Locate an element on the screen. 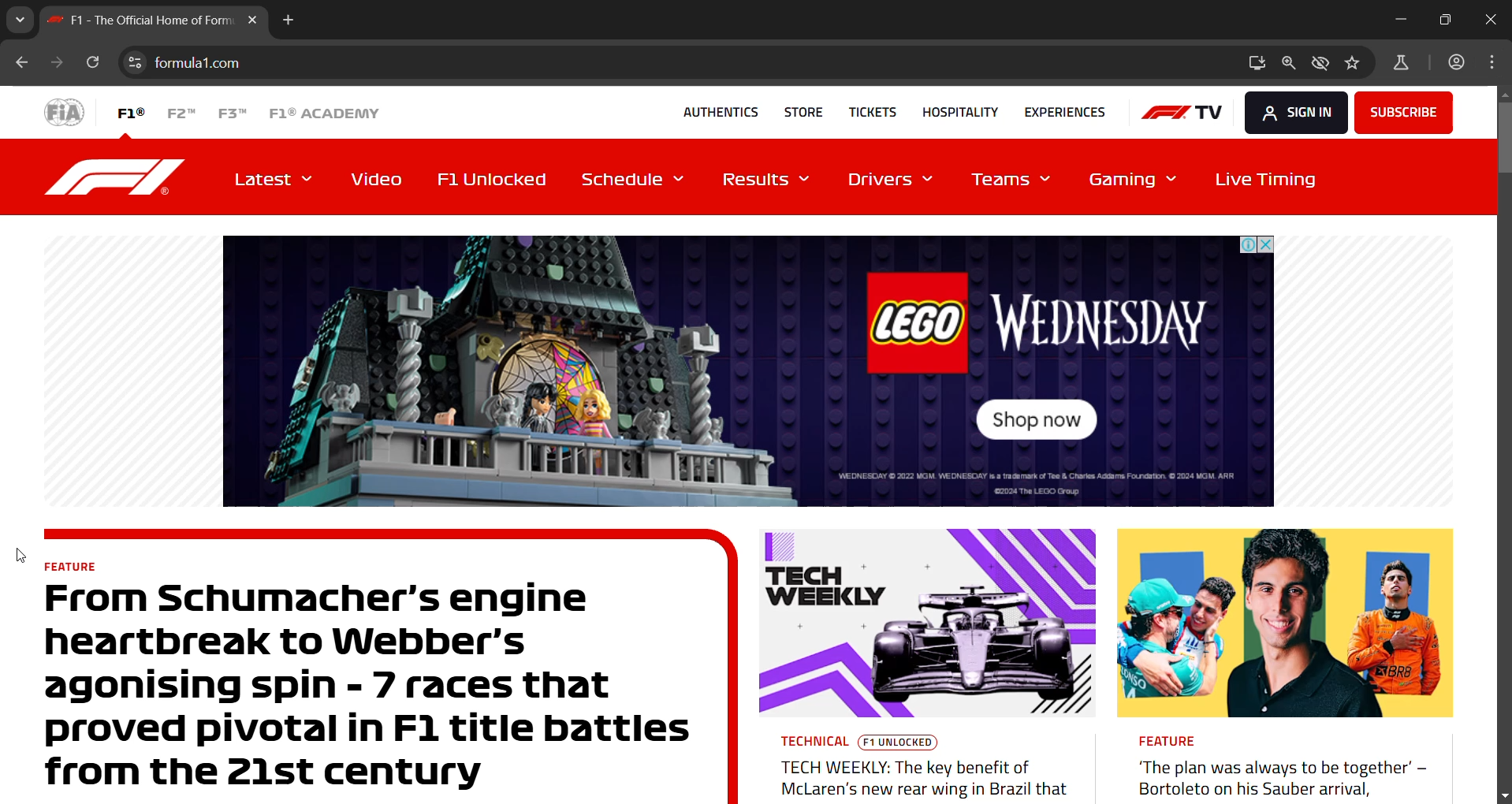 This screenshot has height=804, width=1512. install f1 app is located at coordinates (1258, 61).